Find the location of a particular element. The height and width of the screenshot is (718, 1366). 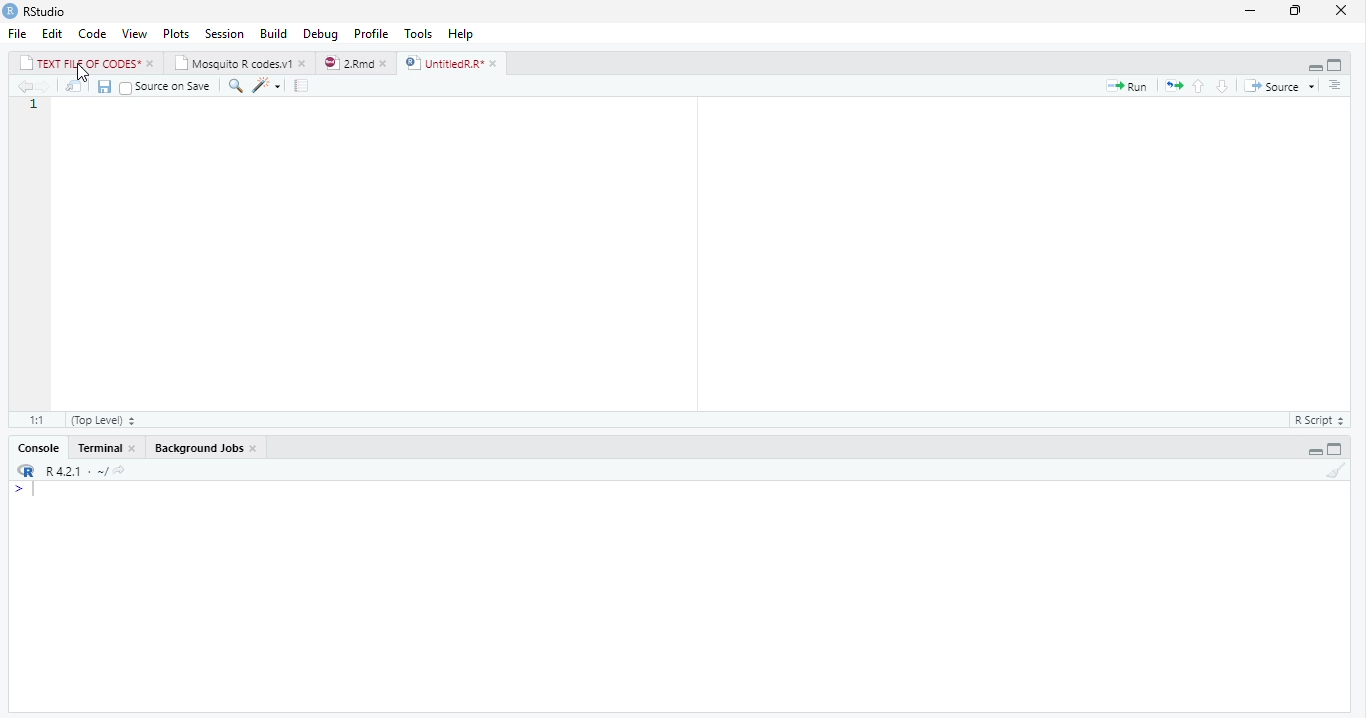

build is located at coordinates (274, 35).